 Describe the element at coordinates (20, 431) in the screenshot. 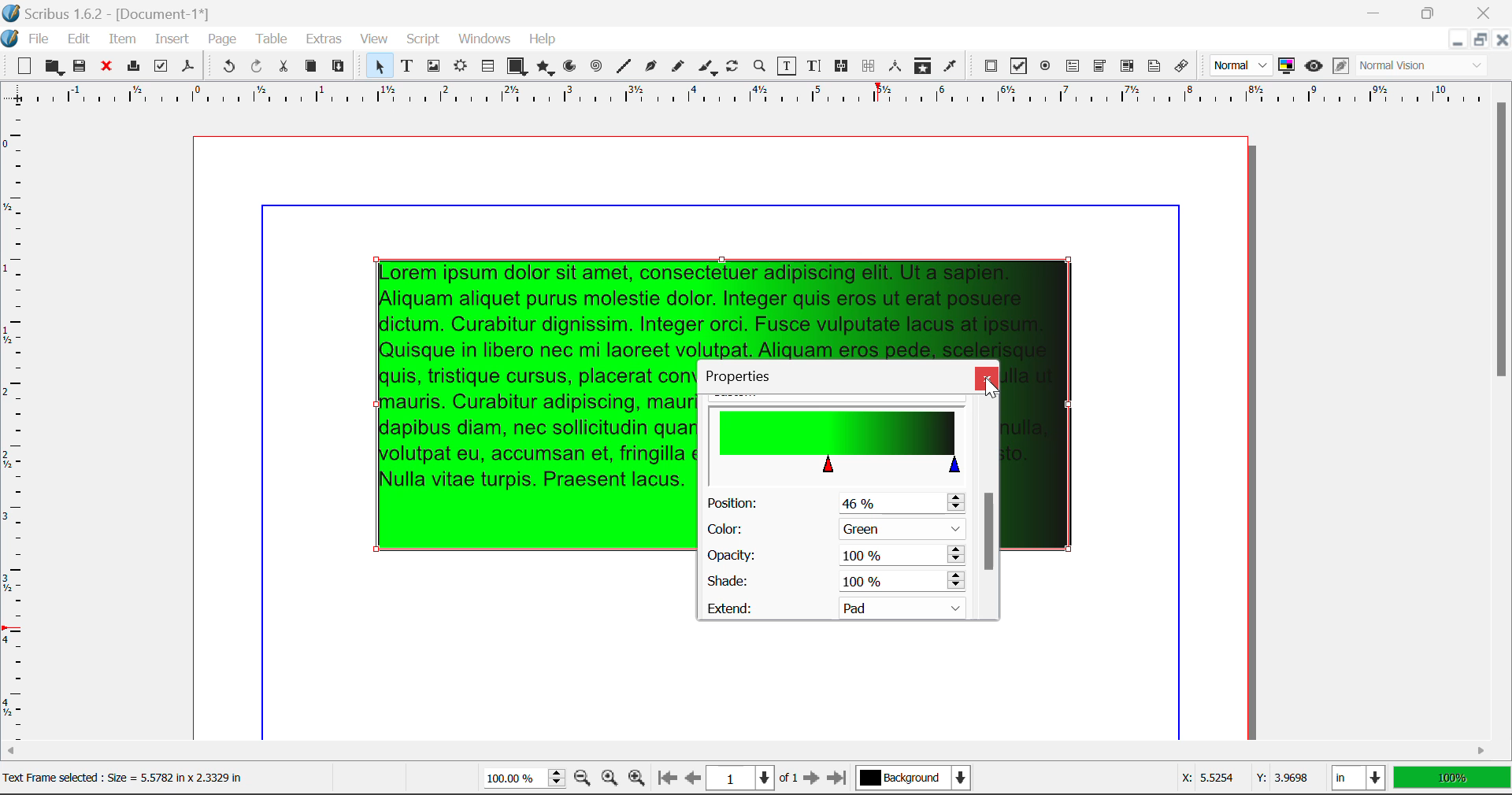

I see `Horizontal Page Margins` at that location.